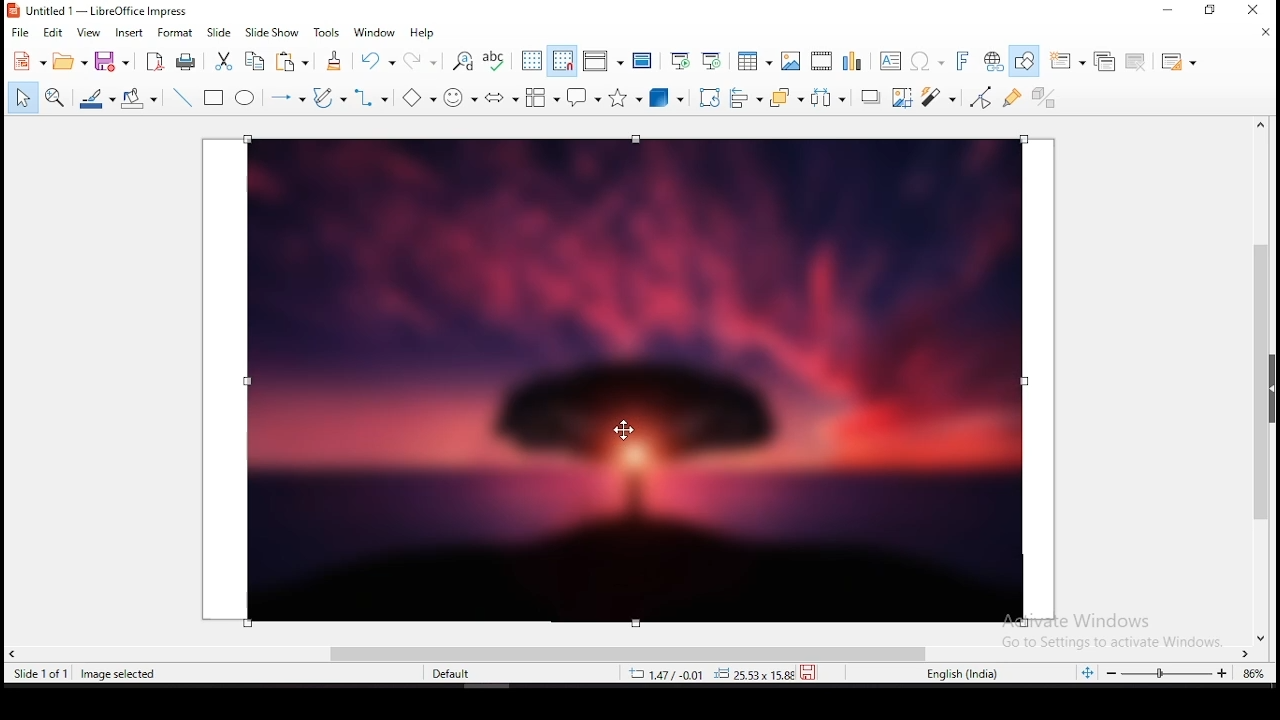 This screenshot has height=720, width=1280. I want to click on insert line, so click(181, 97).